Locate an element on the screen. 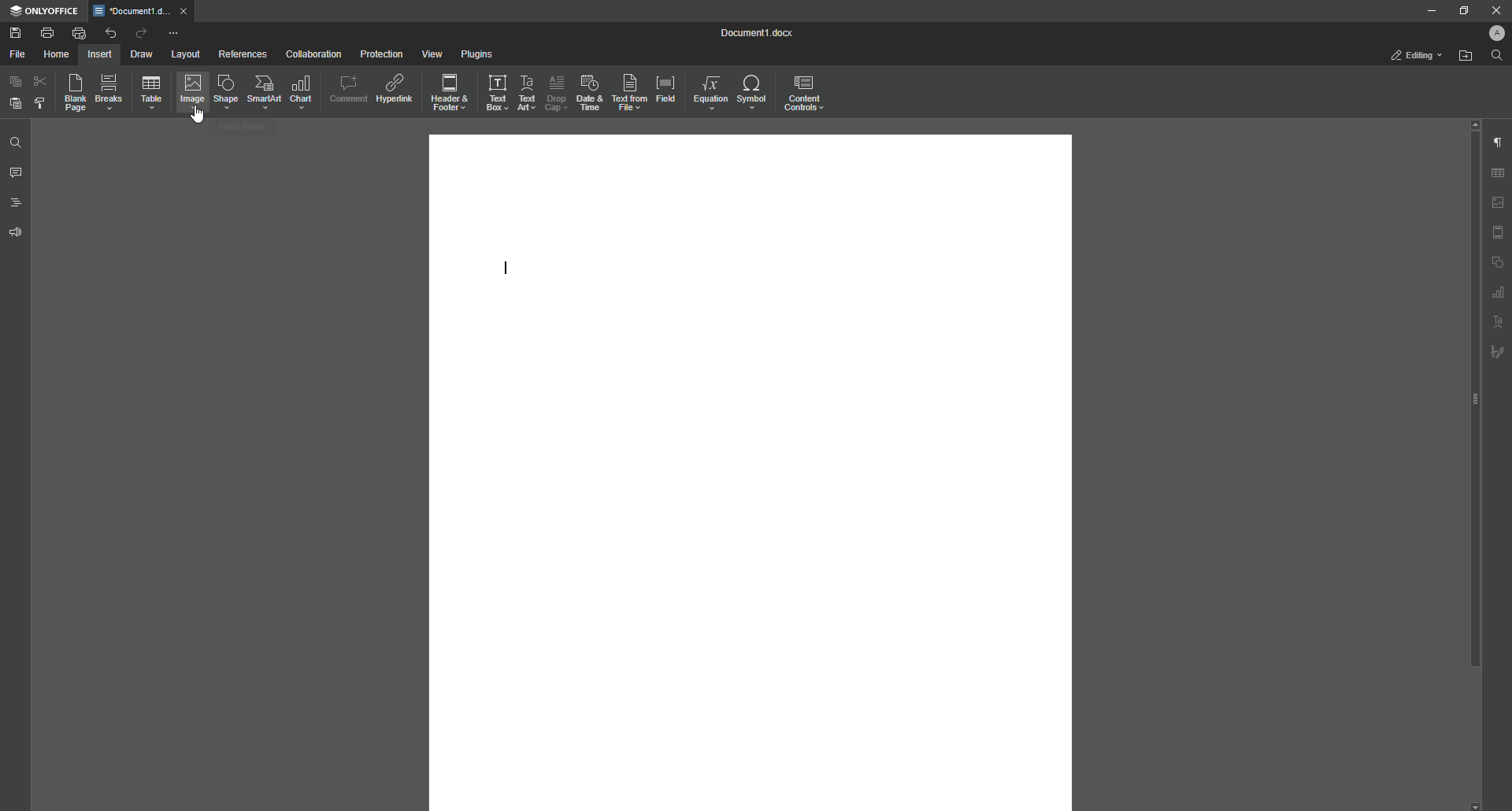  SmartArt is located at coordinates (261, 93).